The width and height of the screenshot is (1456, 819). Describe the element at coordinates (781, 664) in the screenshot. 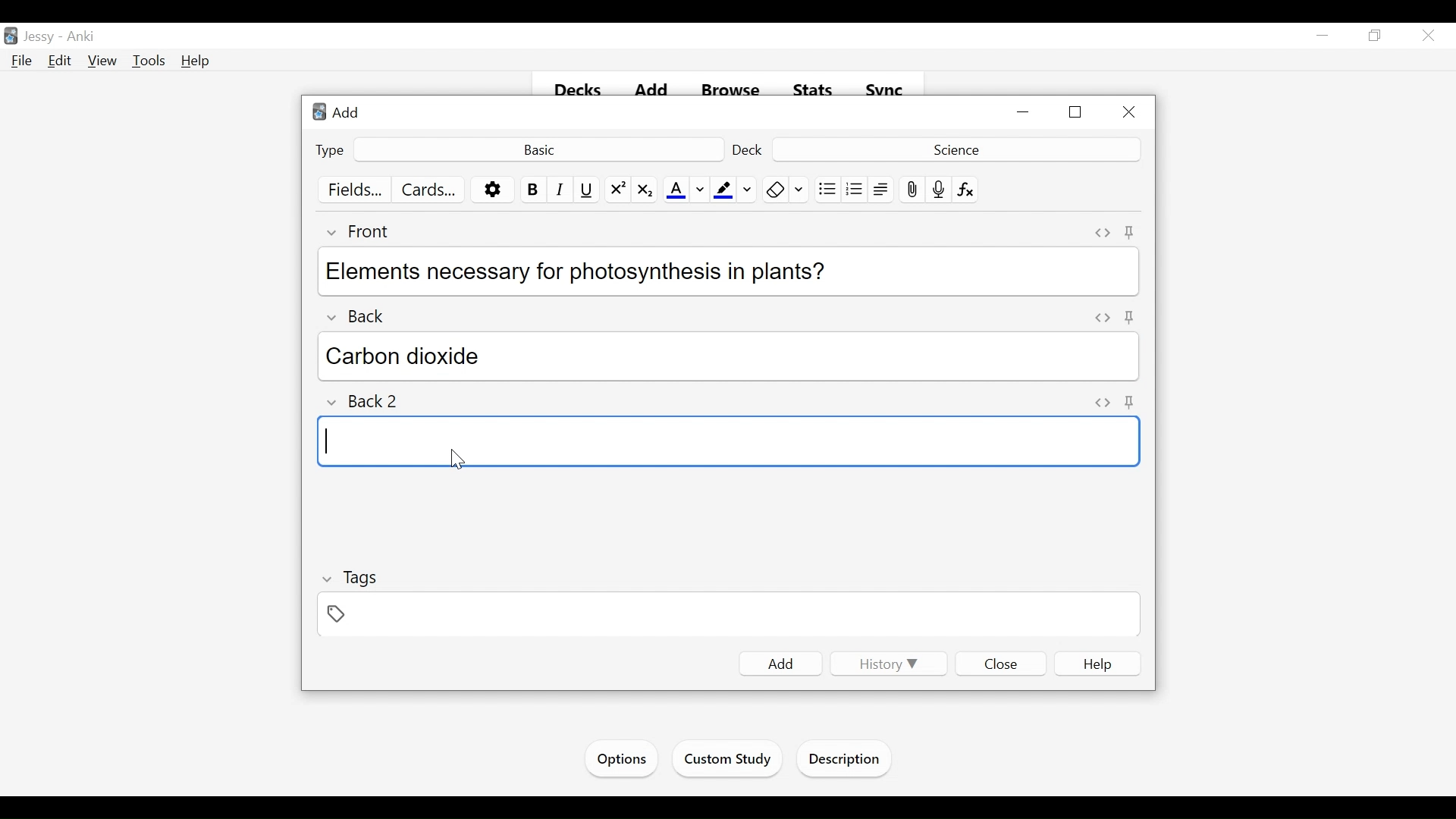

I see `Add` at that location.